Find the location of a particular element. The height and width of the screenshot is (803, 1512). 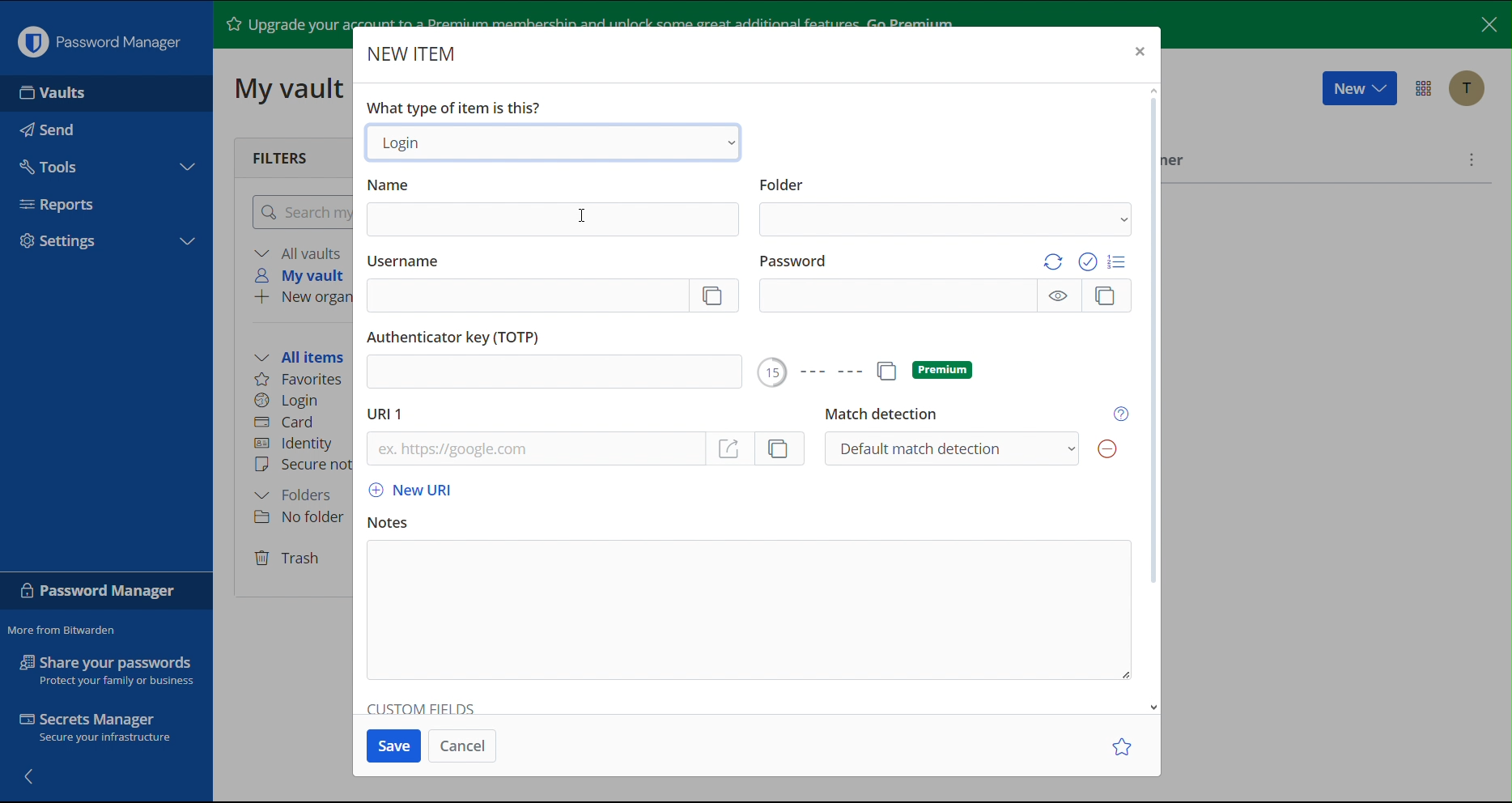

All items is located at coordinates (299, 359).